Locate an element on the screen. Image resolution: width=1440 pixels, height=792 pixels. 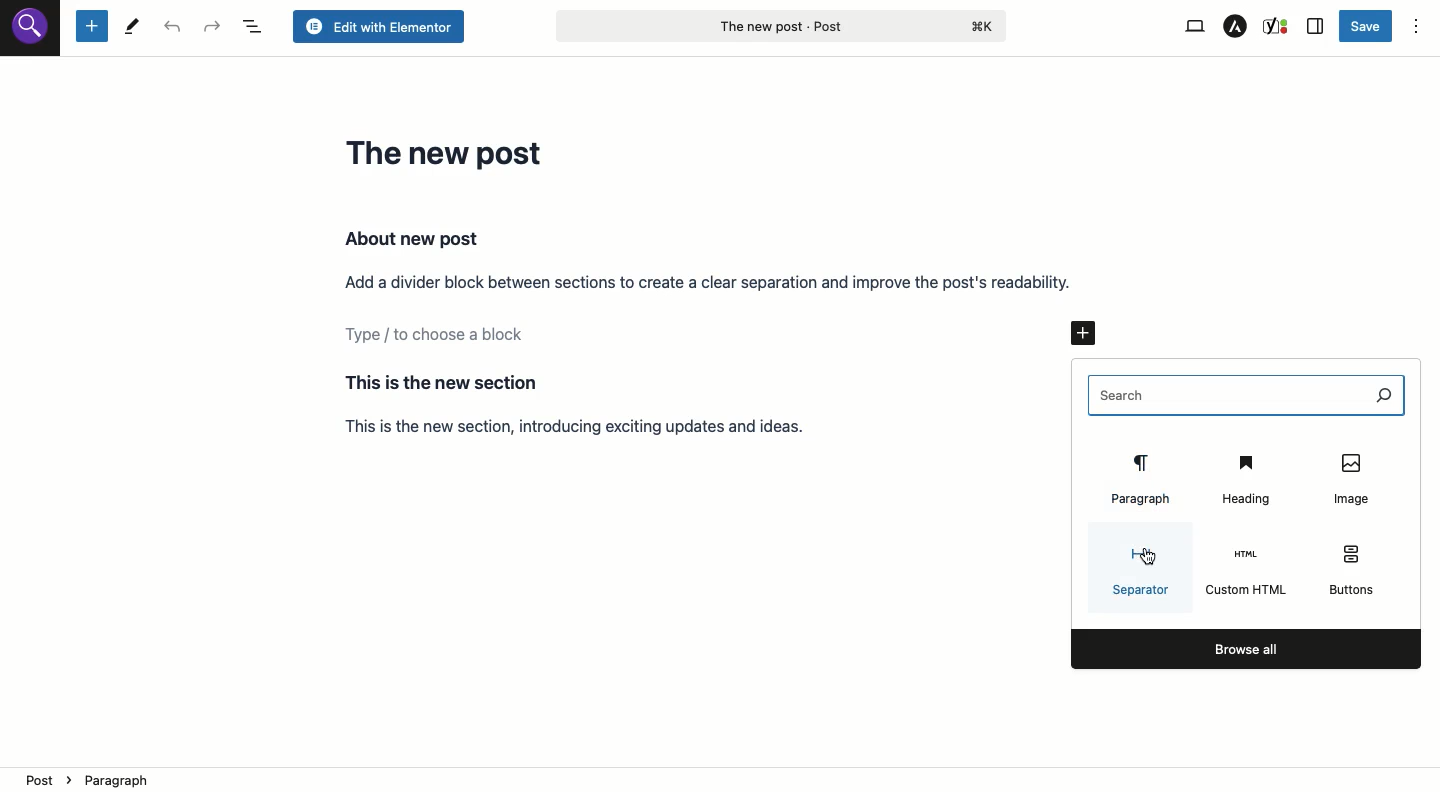
Astar is located at coordinates (1236, 27).